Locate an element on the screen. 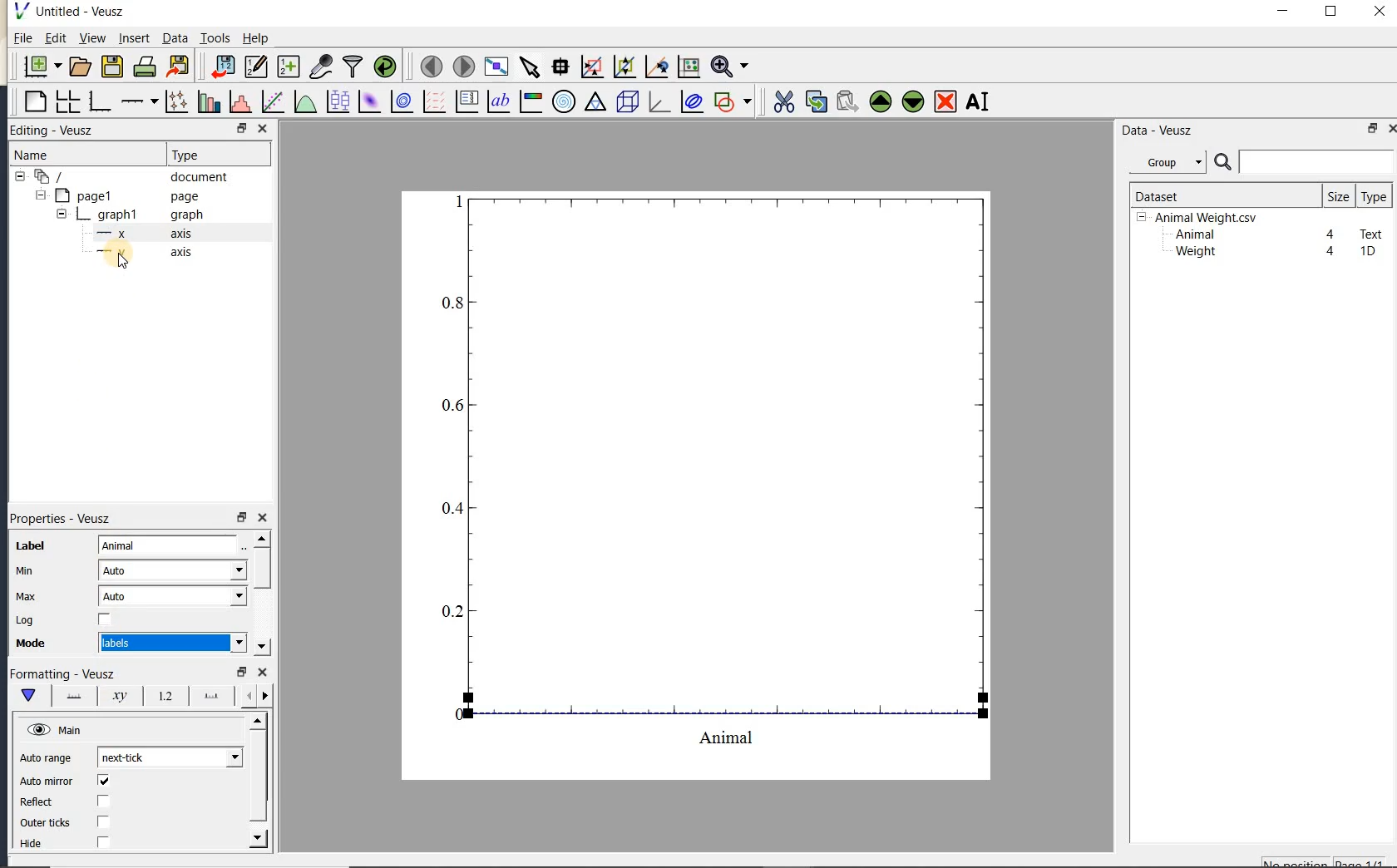 Image resolution: width=1397 pixels, height=868 pixels. Reflect is located at coordinates (44, 802).